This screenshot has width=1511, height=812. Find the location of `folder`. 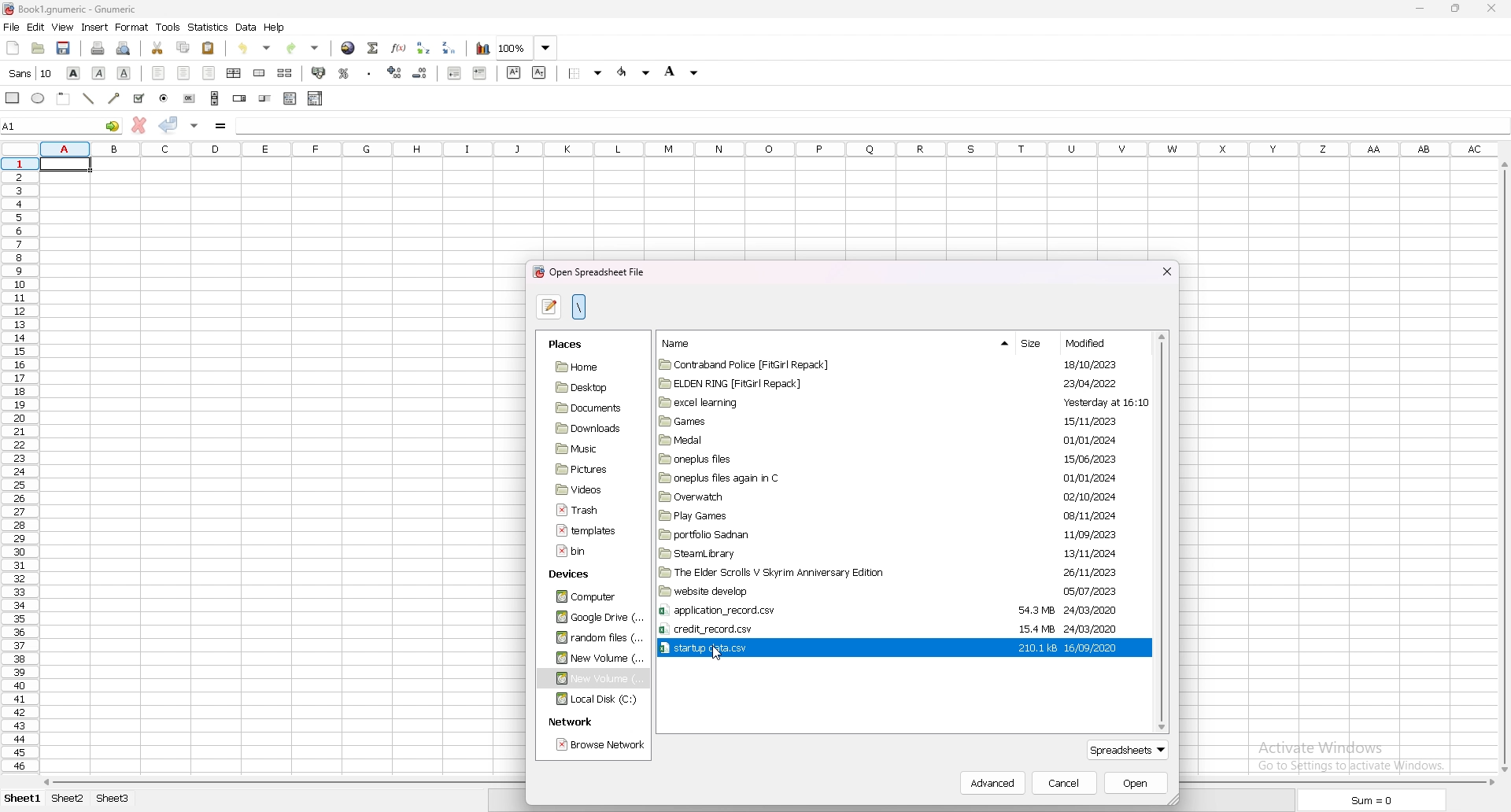

folder is located at coordinates (811, 479).